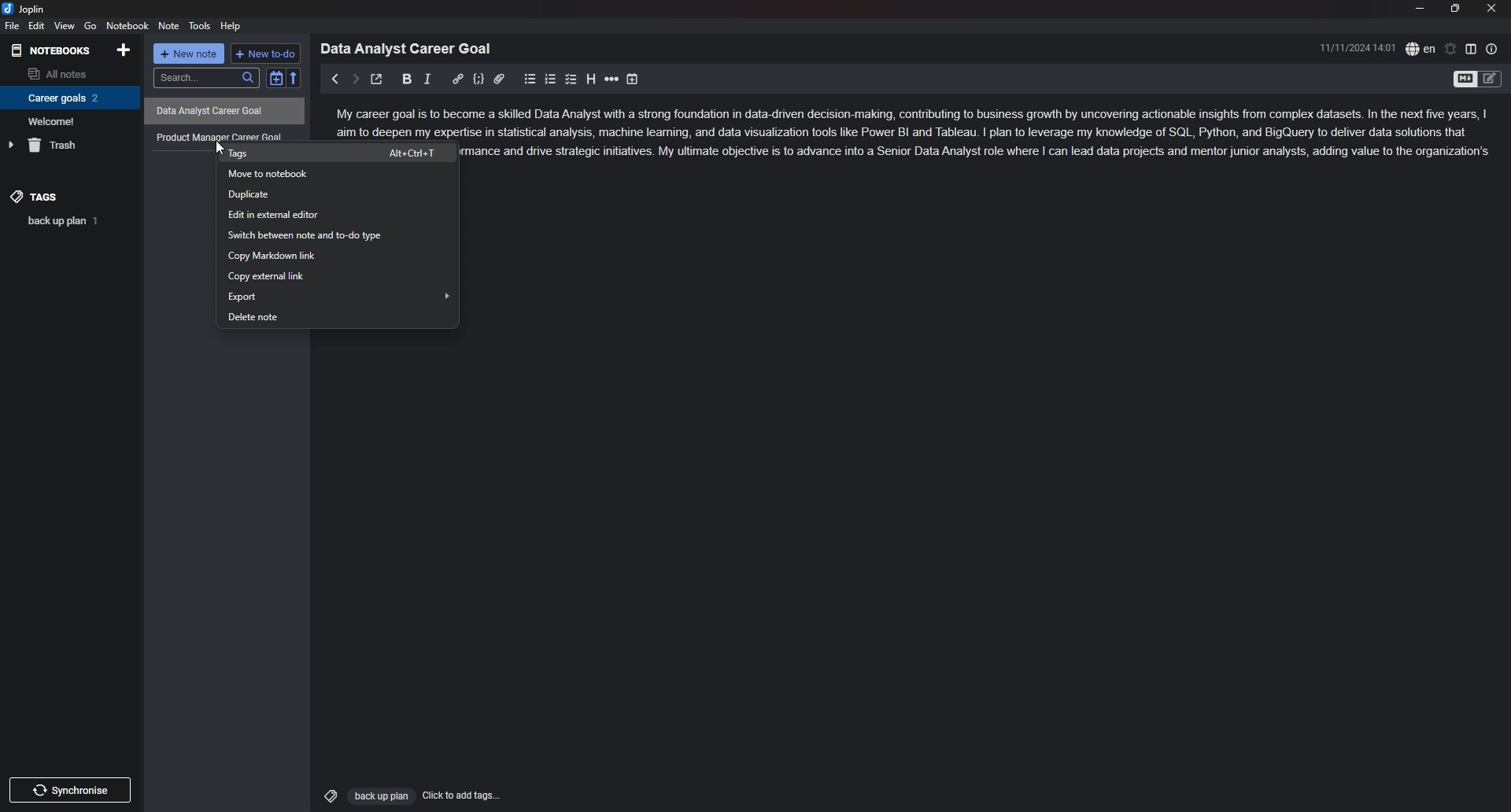  Describe the element at coordinates (66, 120) in the screenshot. I see `Welcome!` at that location.